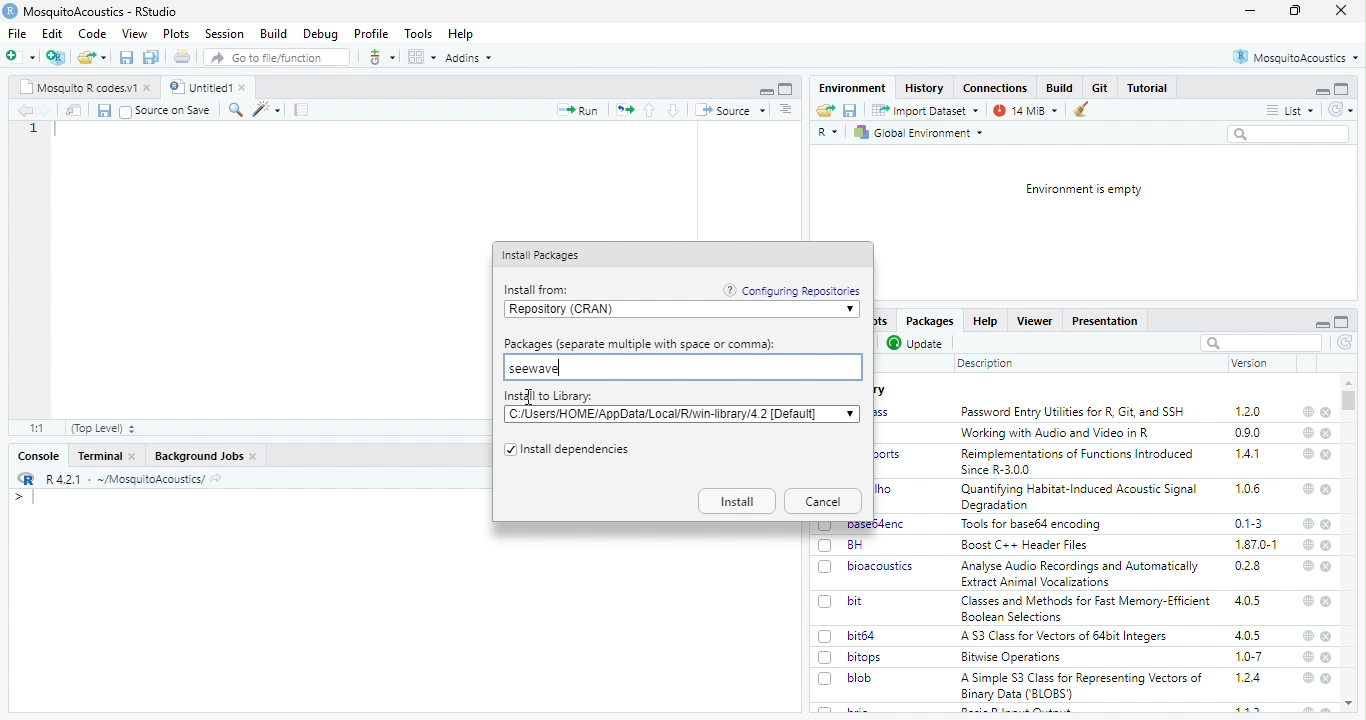 The height and width of the screenshot is (720, 1366). I want to click on Install to Library:, so click(549, 396).